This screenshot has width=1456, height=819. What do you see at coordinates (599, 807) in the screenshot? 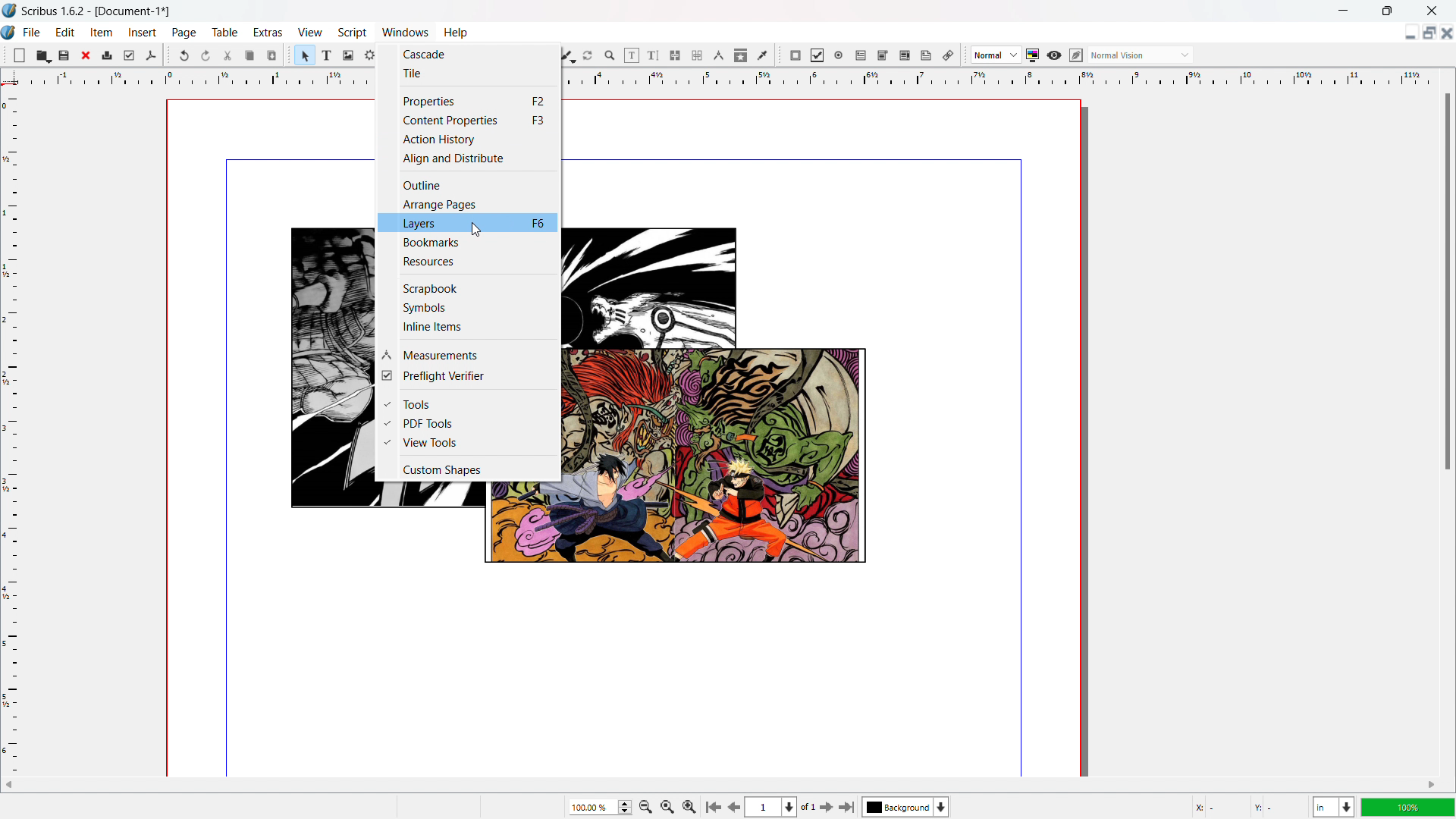
I see `current zoom level` at bounding box center [599, 807].